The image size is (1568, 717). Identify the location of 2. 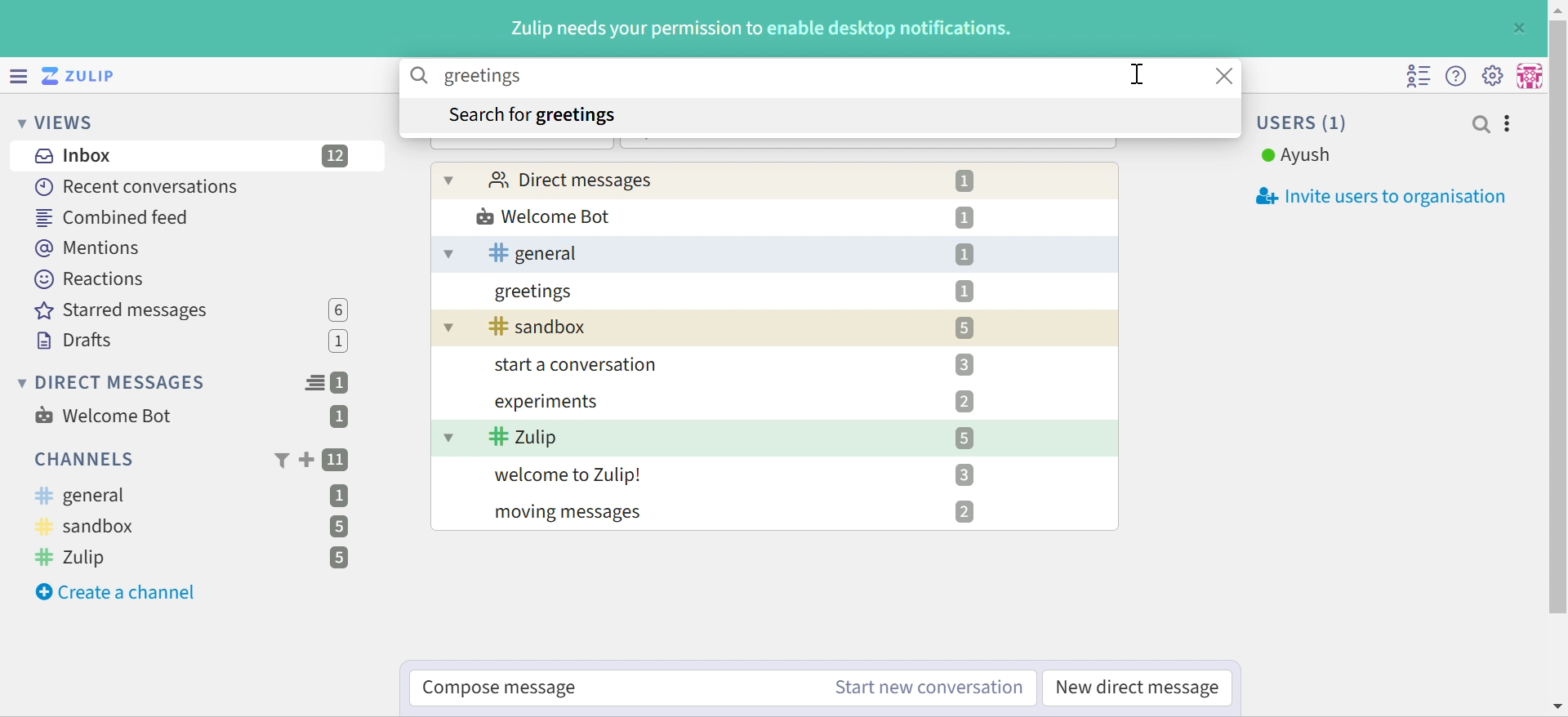
(964, 512).